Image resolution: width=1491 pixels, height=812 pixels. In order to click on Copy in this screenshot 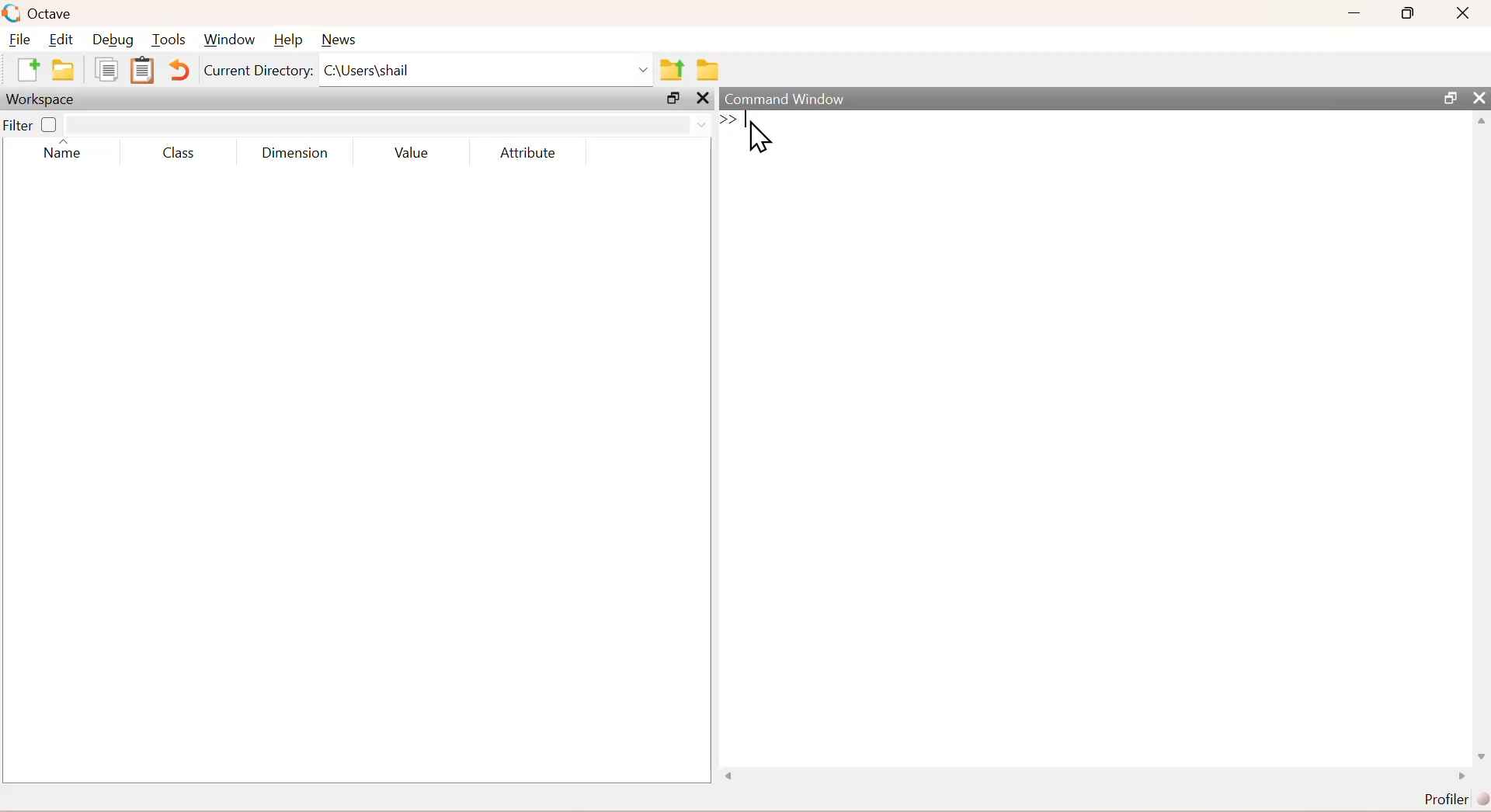, I will do `click(106, 75)`.